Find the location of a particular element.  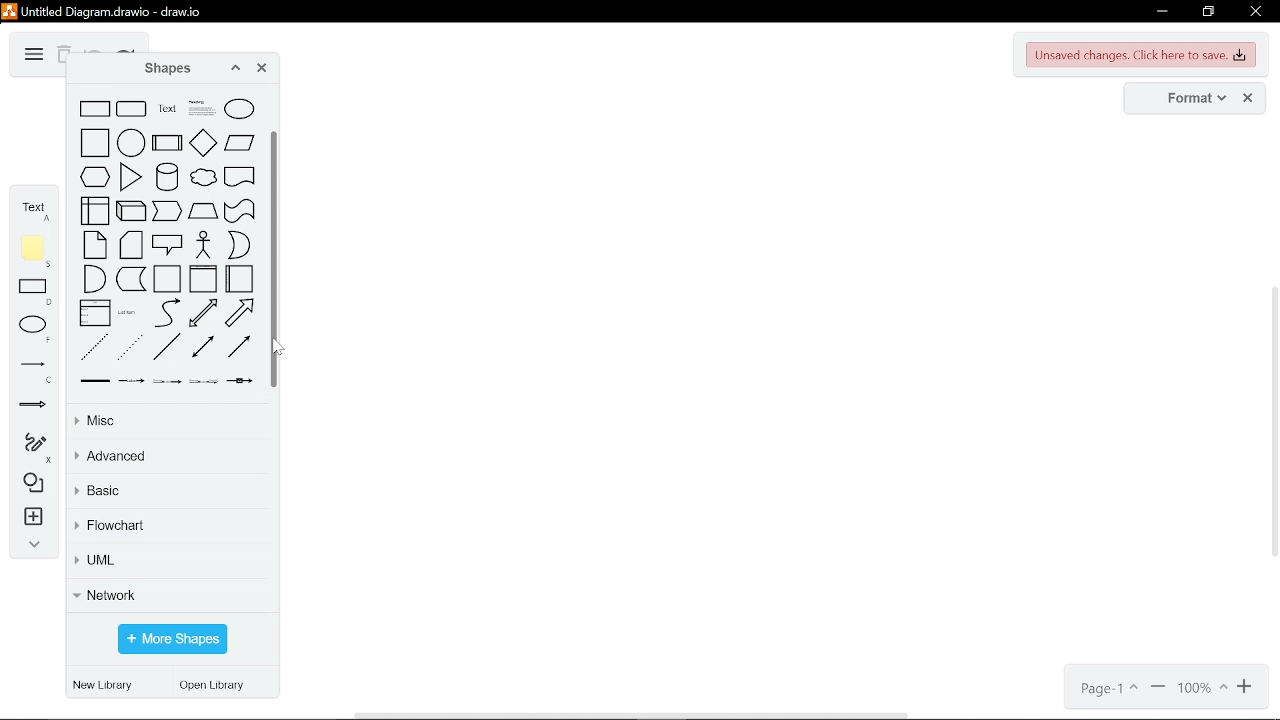

curve is located at coordinates (167, 313).